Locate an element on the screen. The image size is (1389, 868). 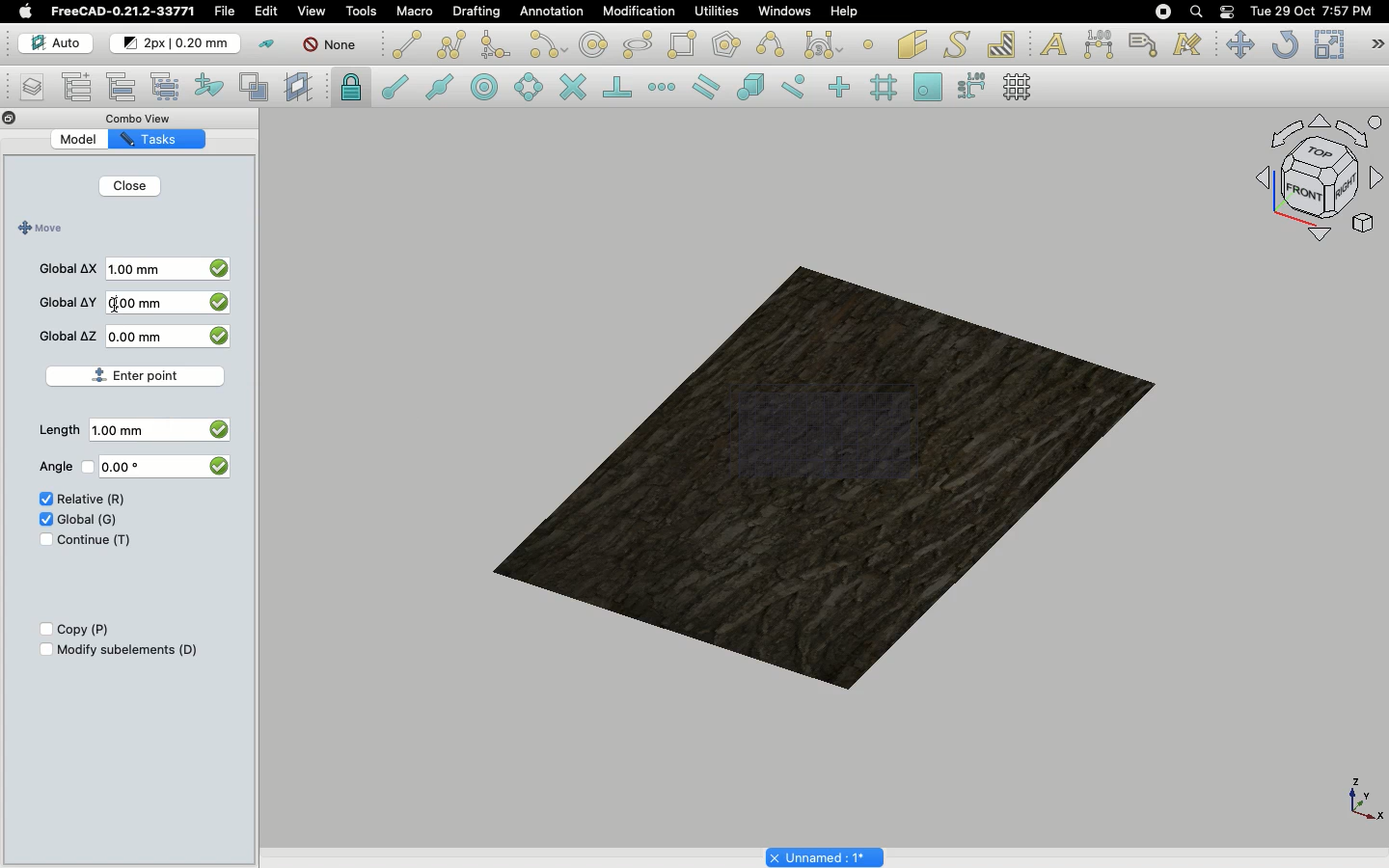
View is located at coordinates (312, 10).